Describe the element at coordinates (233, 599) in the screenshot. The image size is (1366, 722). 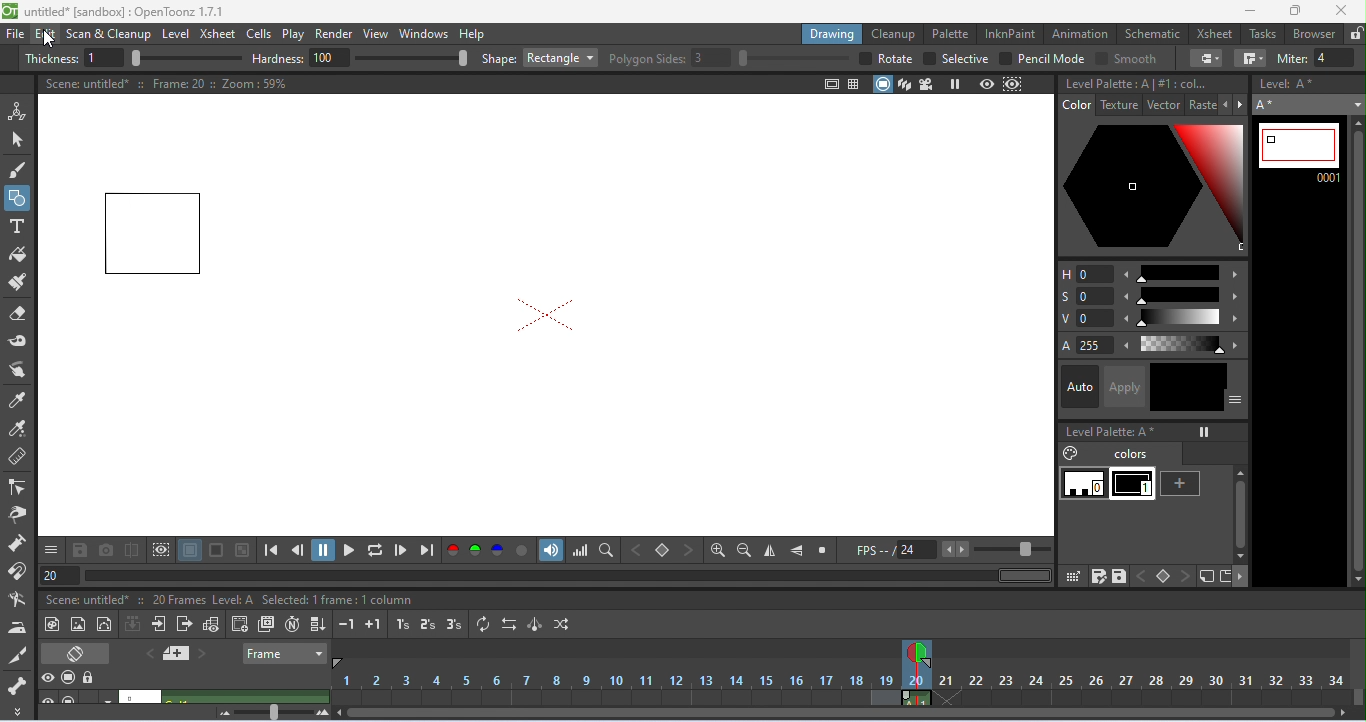
I see `level A` at that location.